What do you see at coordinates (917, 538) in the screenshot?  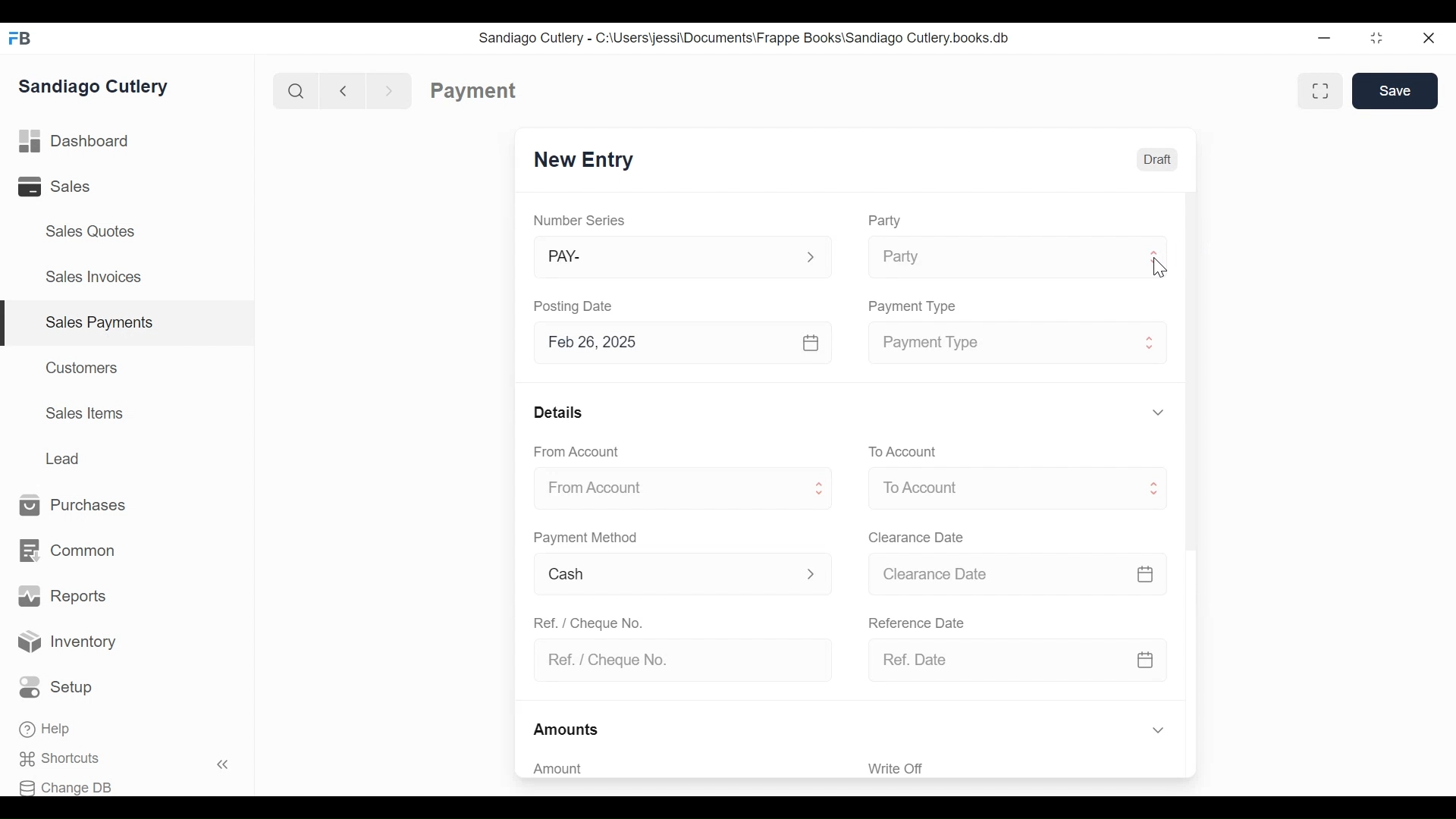 I see `Clearance Date` at bounding box center [917, 538].